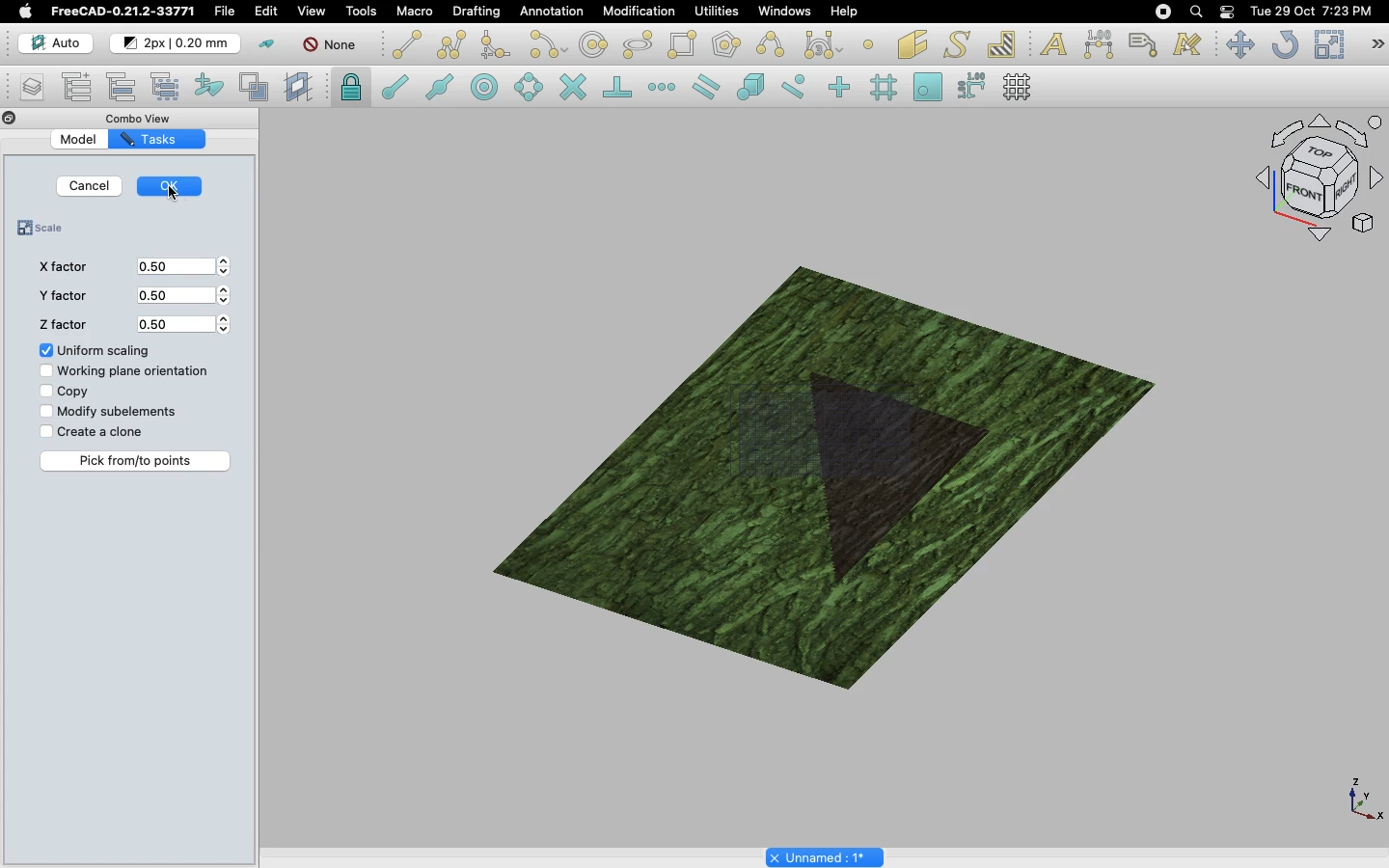 This screenshot has width=1389, height=868. I want to click on Navigation styles, so click(1315, 181).